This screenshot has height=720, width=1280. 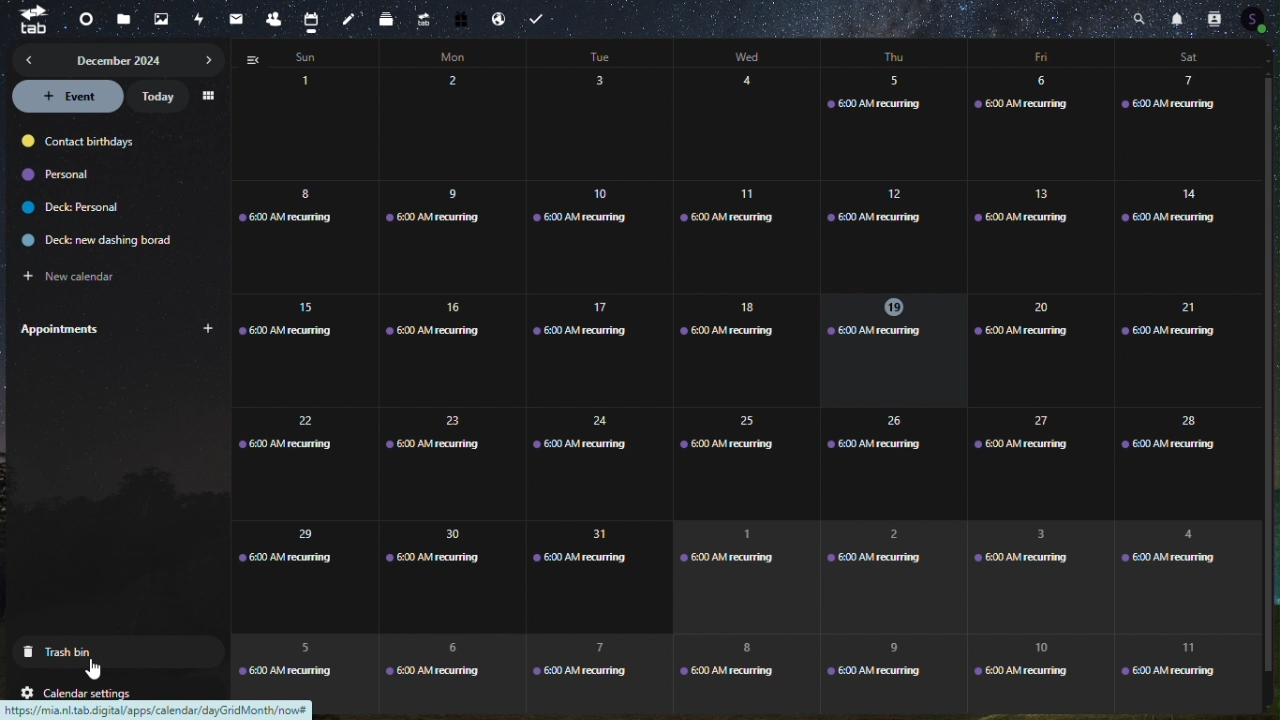 I want to click on Cursor, so click(x=95, y=671).